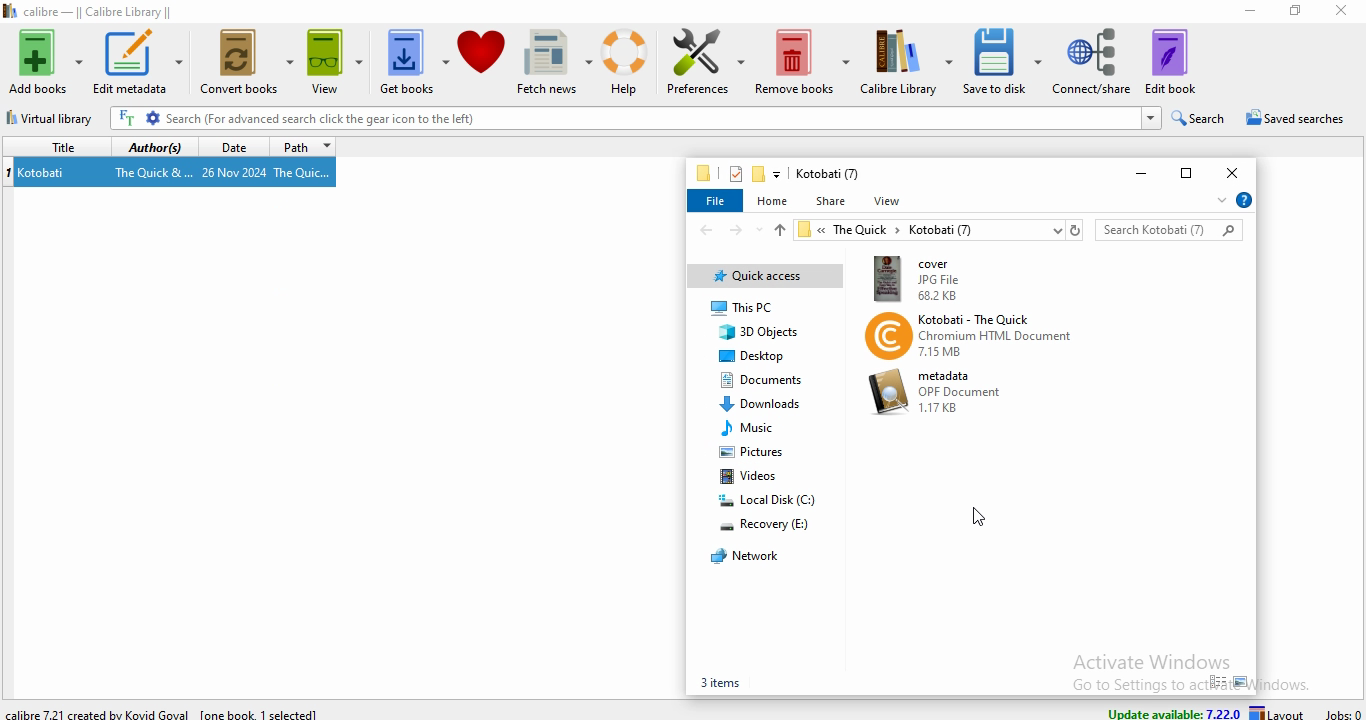 This screenshot has width=1366, height=720. I want to click on minimise, so click(1242, 13).